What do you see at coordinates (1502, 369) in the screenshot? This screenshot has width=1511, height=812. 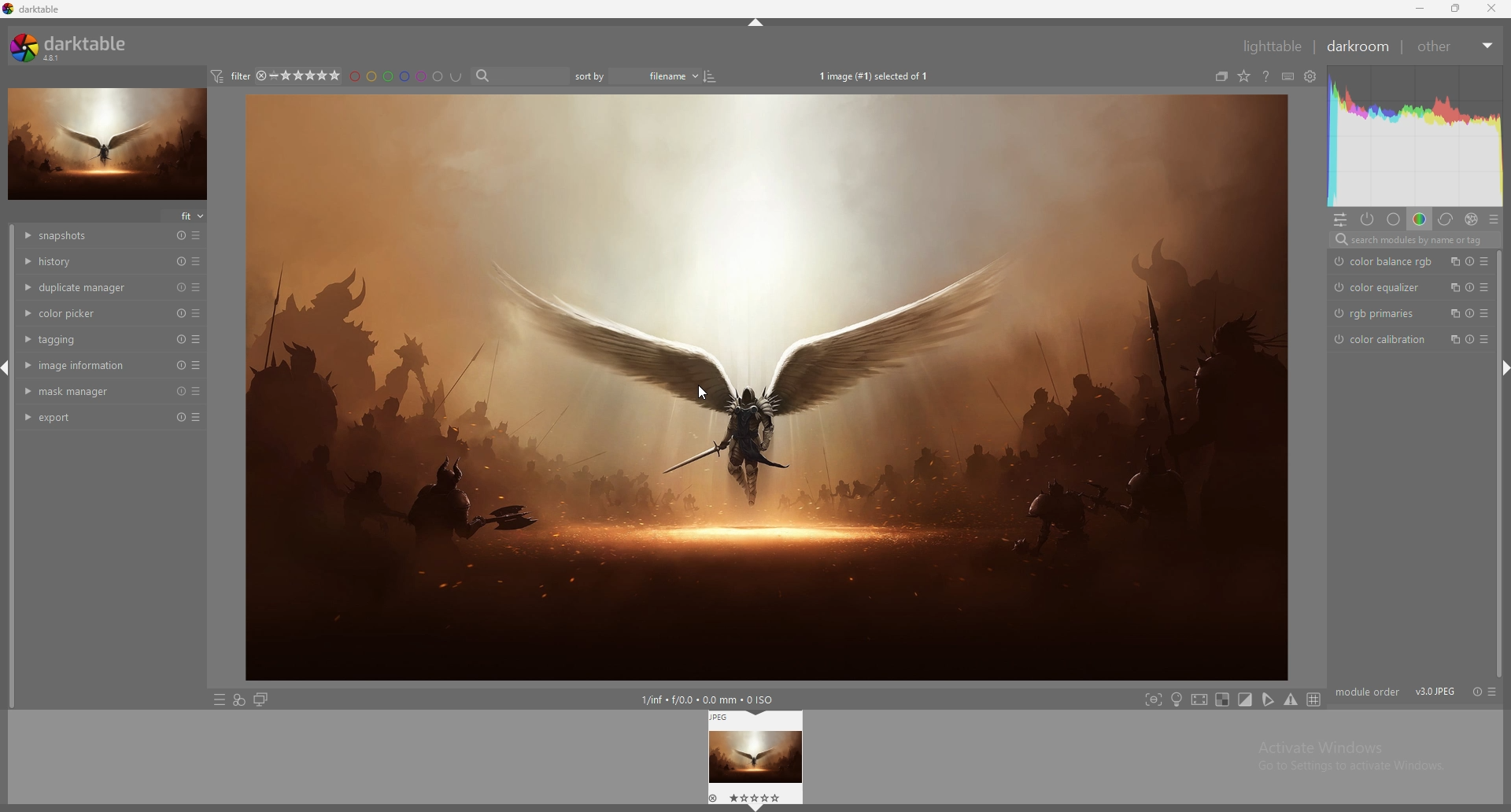 I see `hide` at bounding box center [1502, 369].